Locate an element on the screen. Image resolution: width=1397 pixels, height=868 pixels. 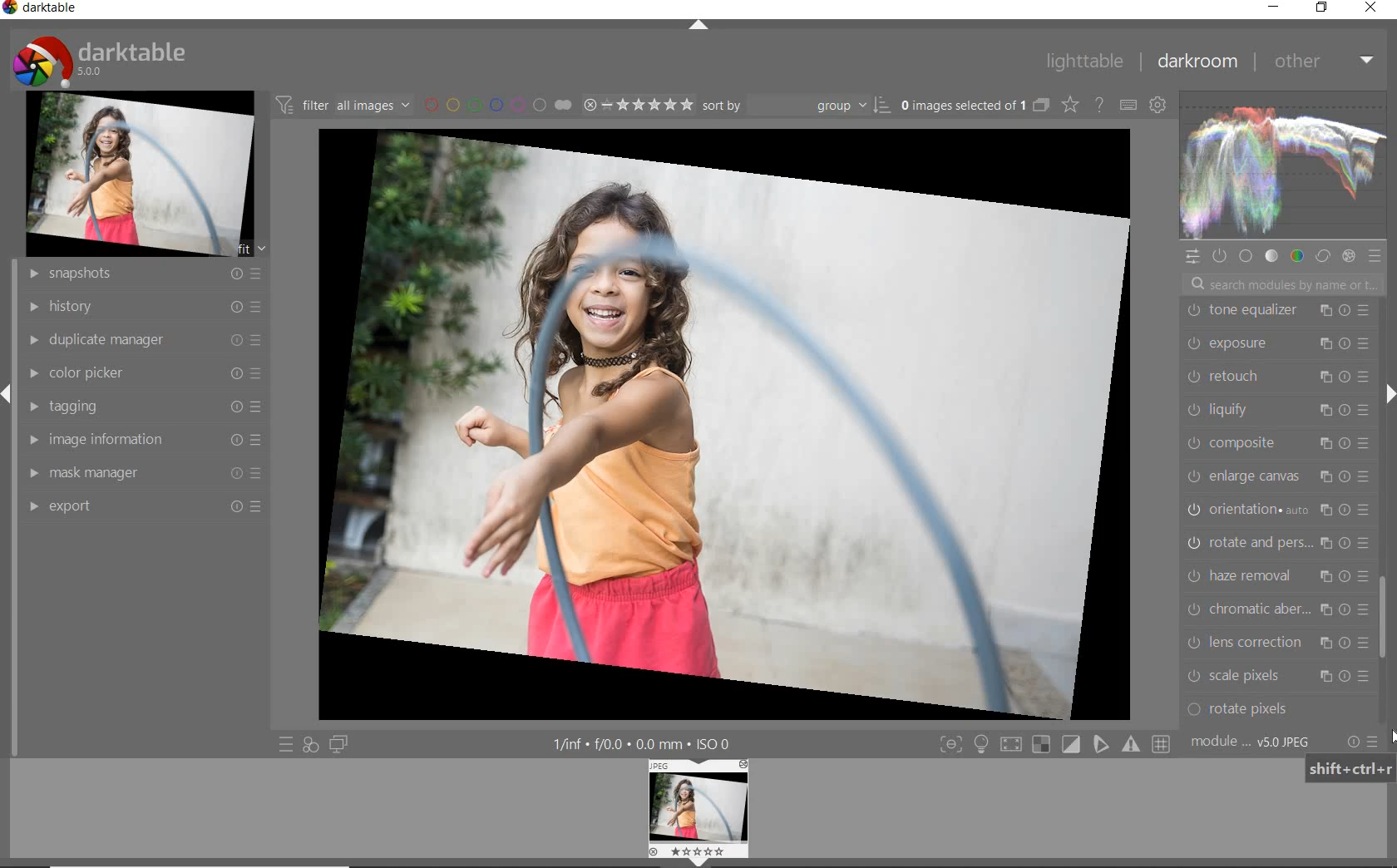
tone is located at coordinates (1271, 256).